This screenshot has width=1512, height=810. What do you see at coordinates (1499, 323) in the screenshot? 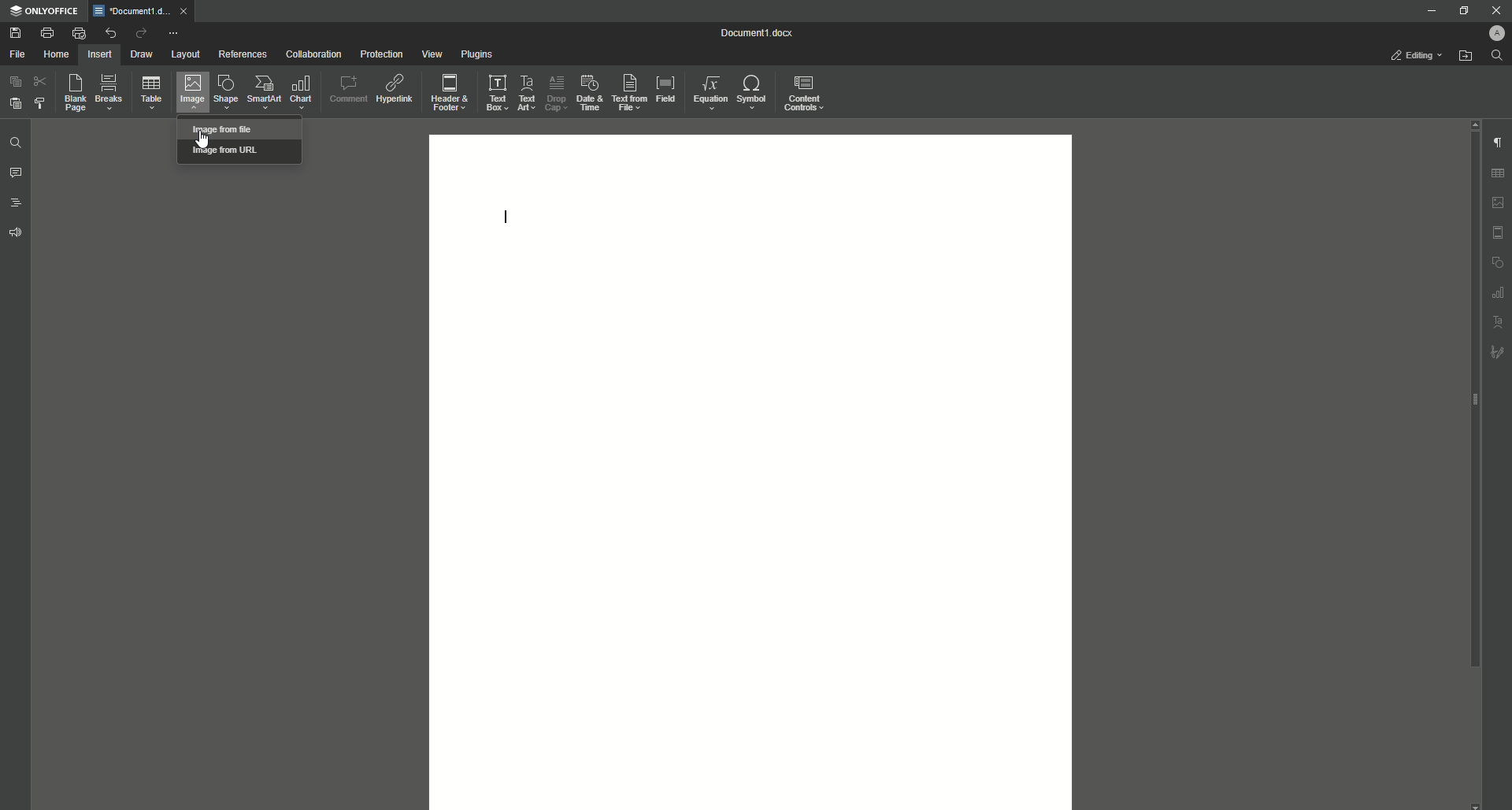
I see `Text Art Settings` at bounding box center [1499, 323].